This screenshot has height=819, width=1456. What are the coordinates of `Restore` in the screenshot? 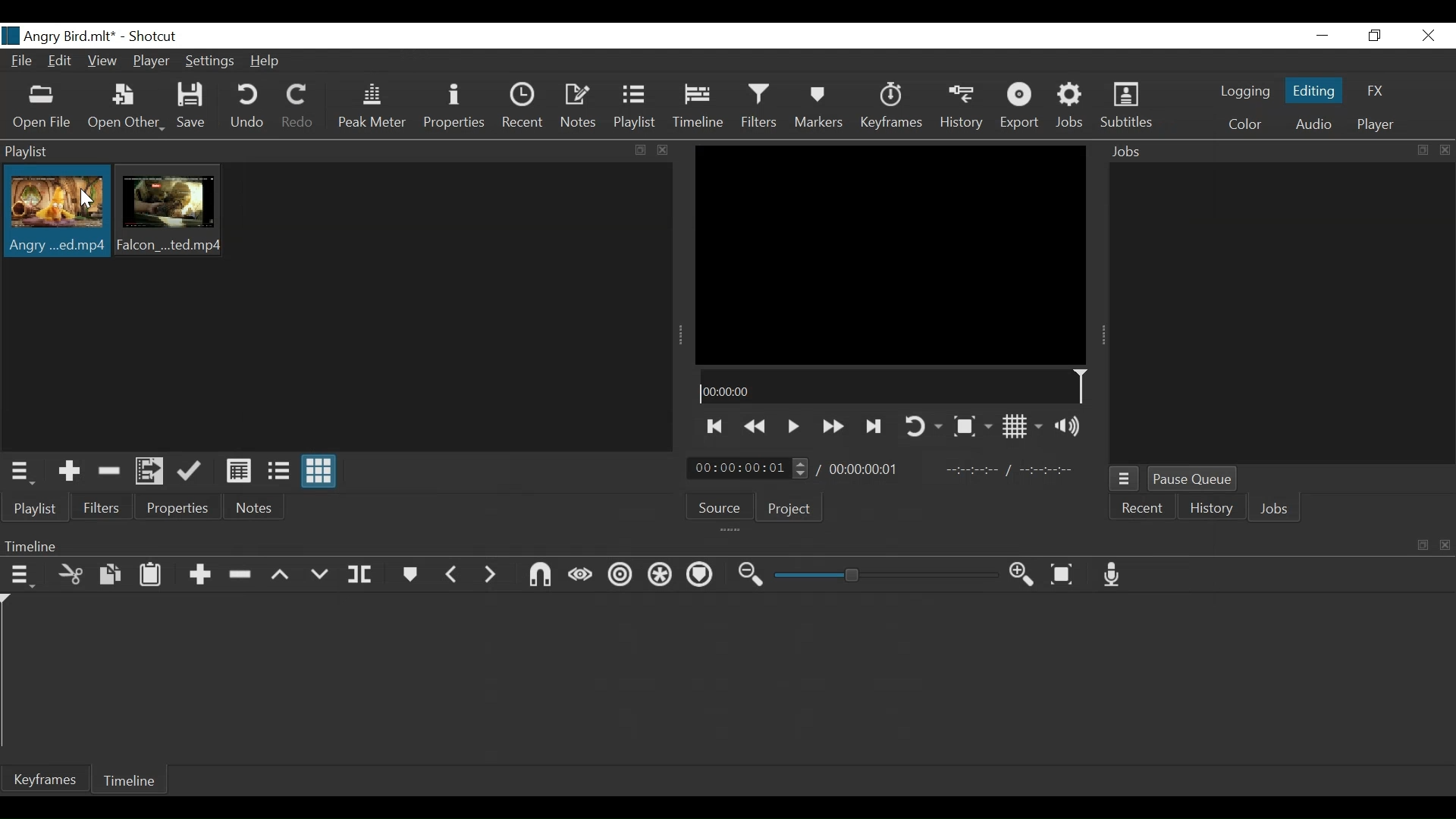 It's located at (1373, 35).